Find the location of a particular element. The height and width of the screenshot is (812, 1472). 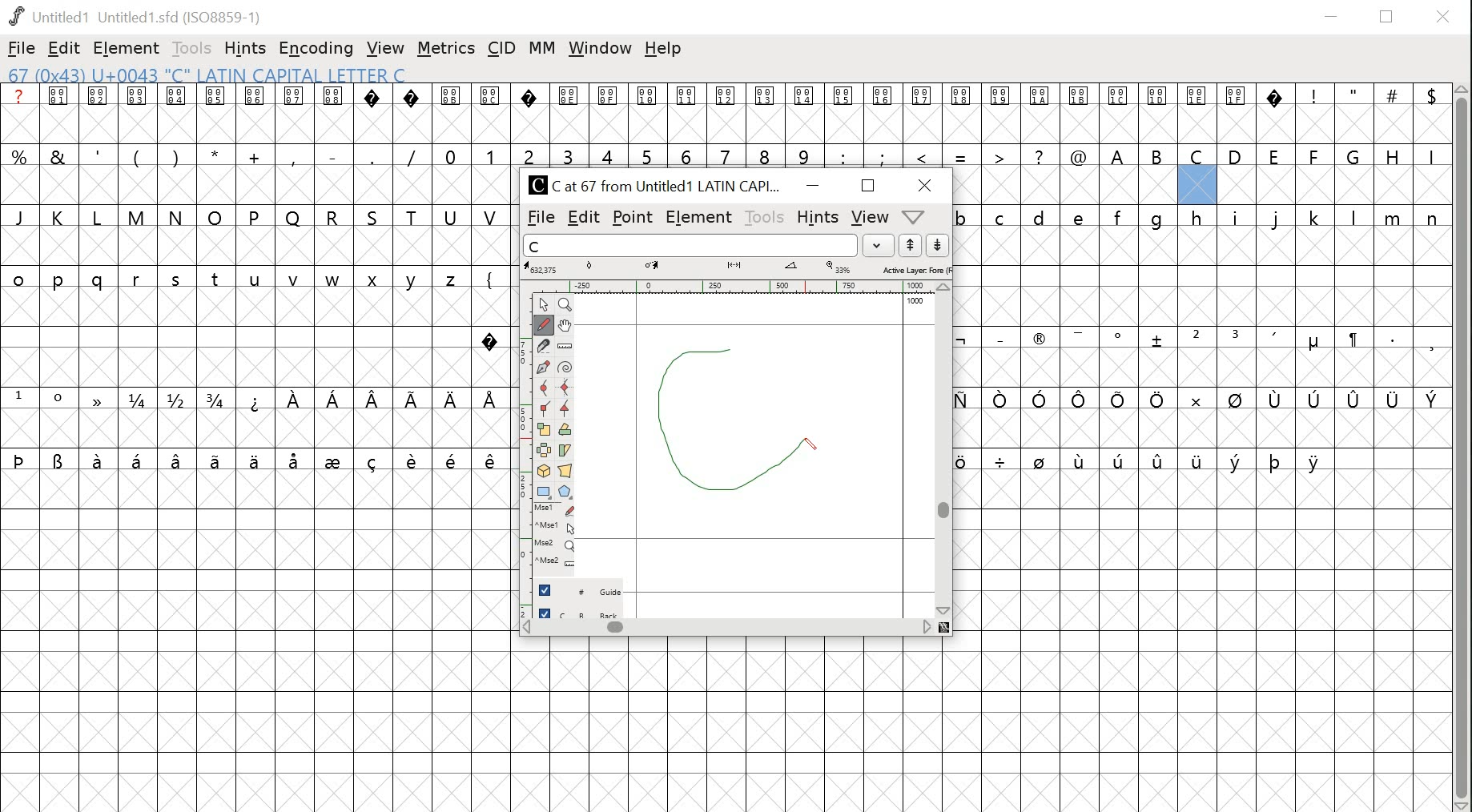

drawing glyph letter c is located at coordinates (746, 415).